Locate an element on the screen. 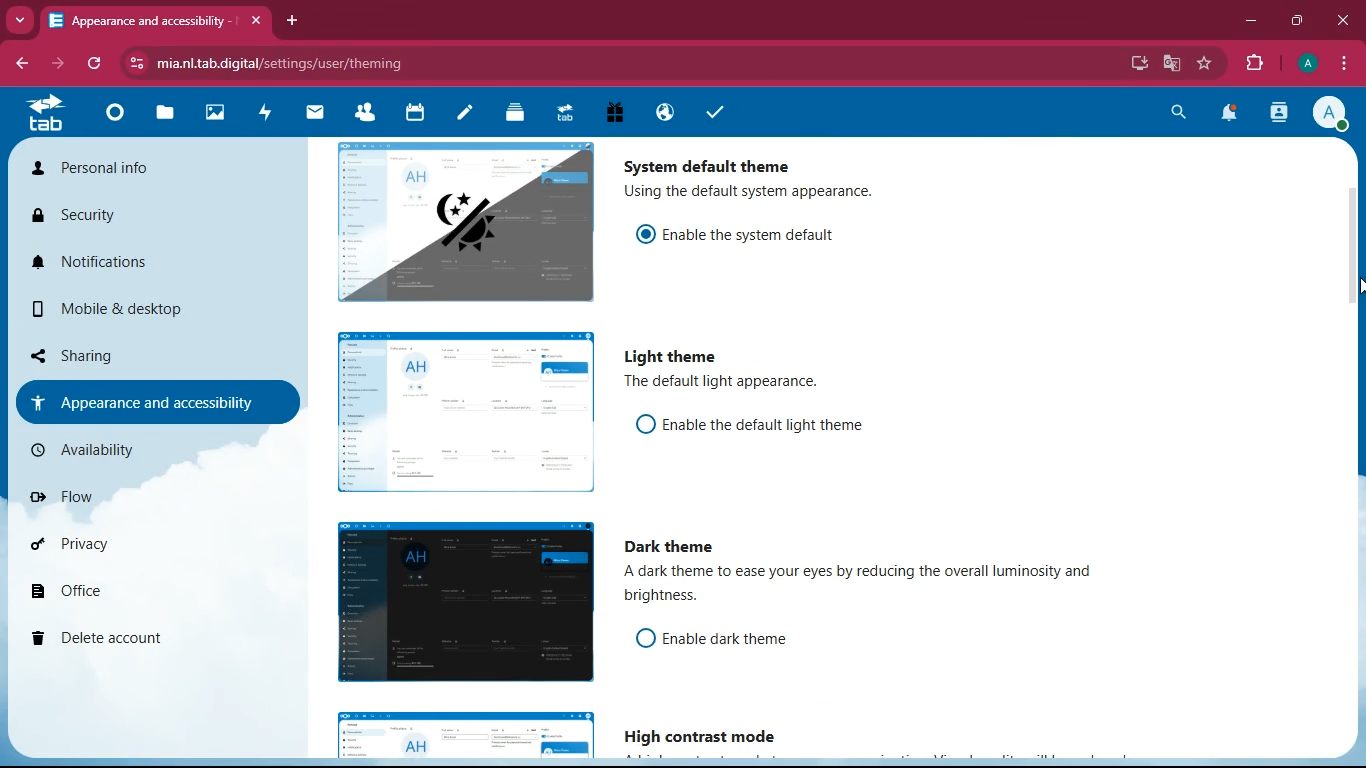 The width and height of the screenshot is (1366, 768). privacy is located at coordinates (128, 549).